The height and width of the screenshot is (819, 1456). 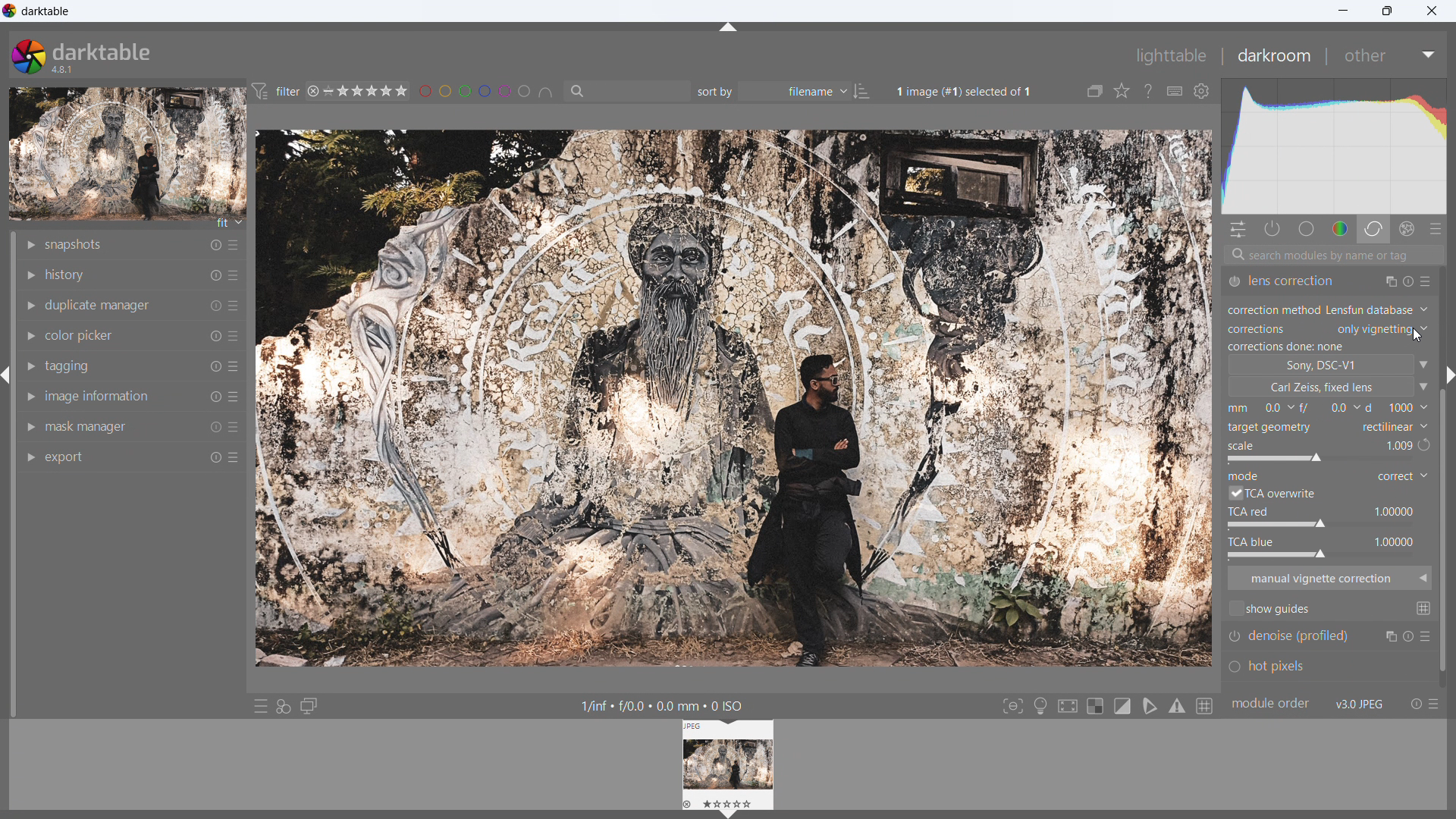 What do you see at coordinates (1328, 311) in the screenshot?
I see `correction method` at bounding box center [1328, 311].